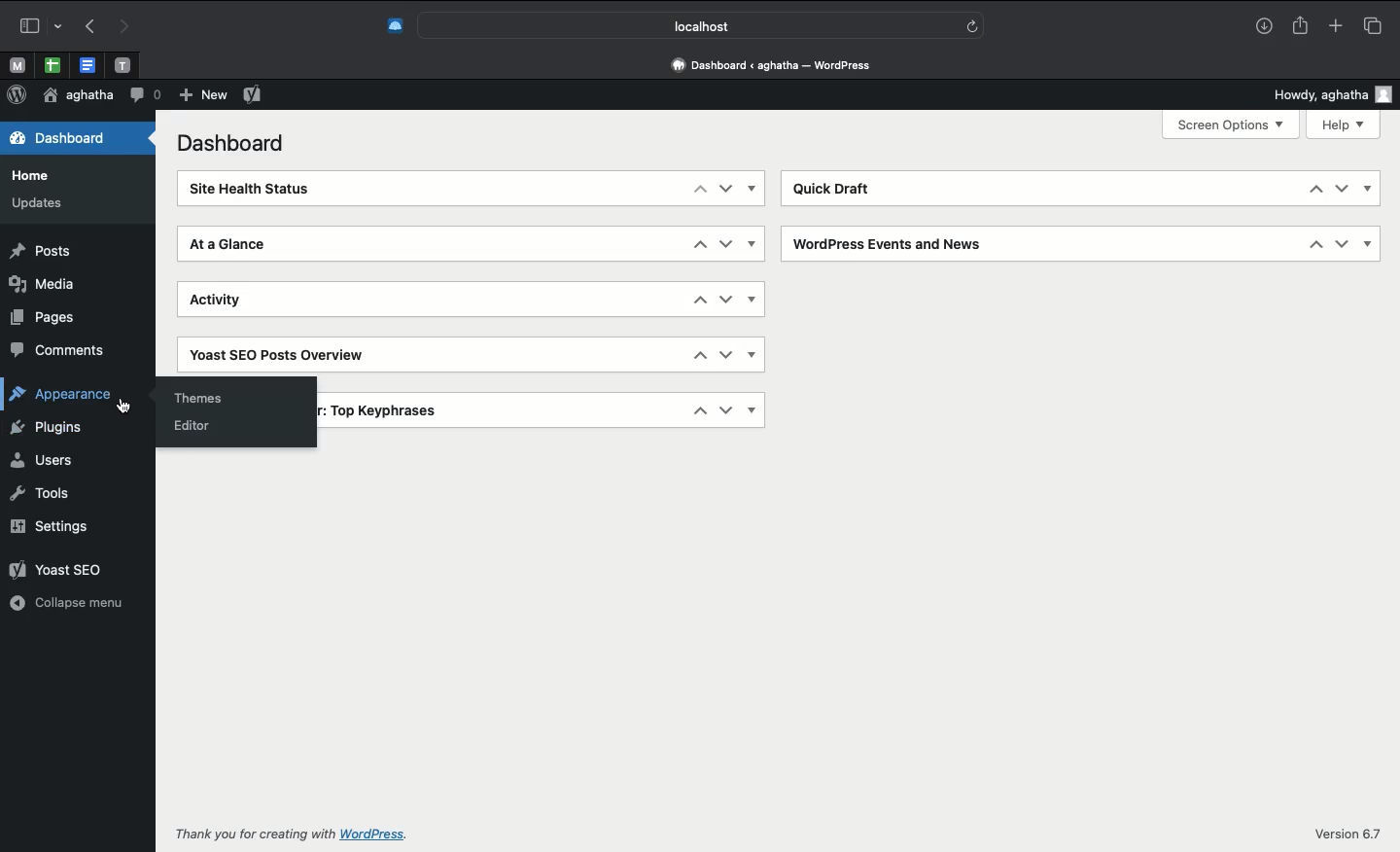  What do you see at coordinates (388, 408) in the screenshot?
I see `Top key phrases` at bounding box center [388, 408].